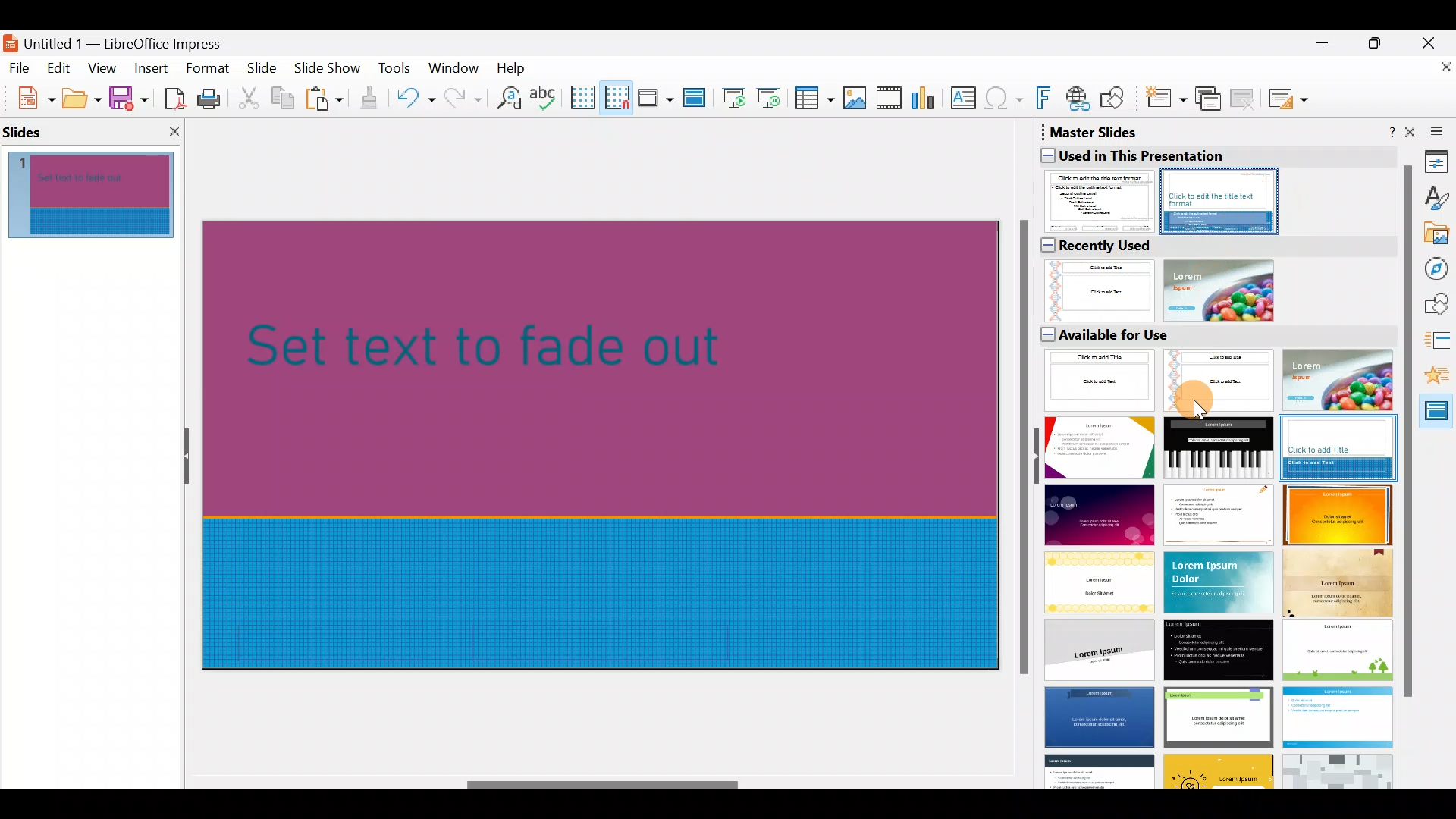 The image size is (1456, 819). I want to click on Window, so click(457, 67).